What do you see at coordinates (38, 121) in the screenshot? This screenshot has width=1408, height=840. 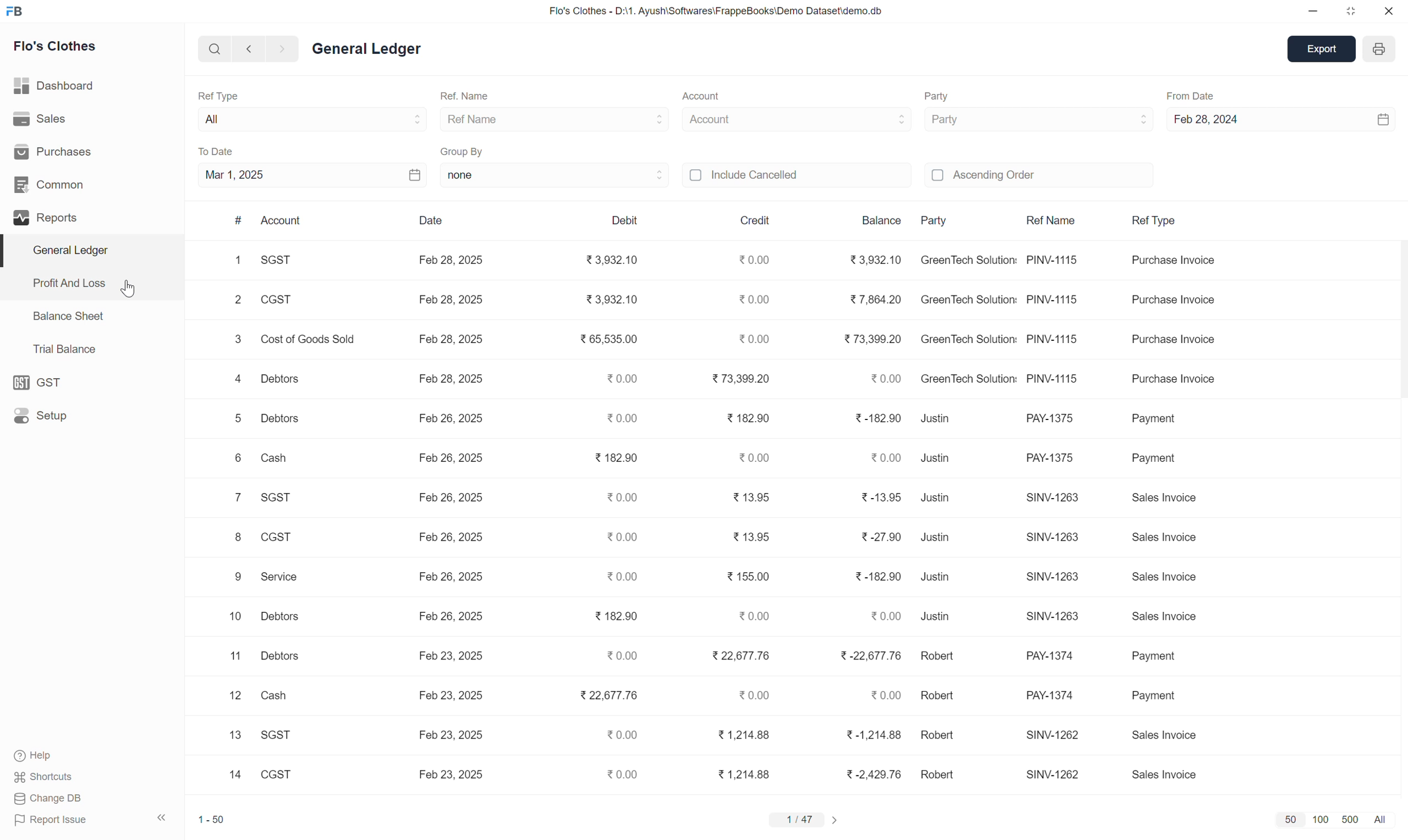 I see `Sales` at bounding box center [38, 121].